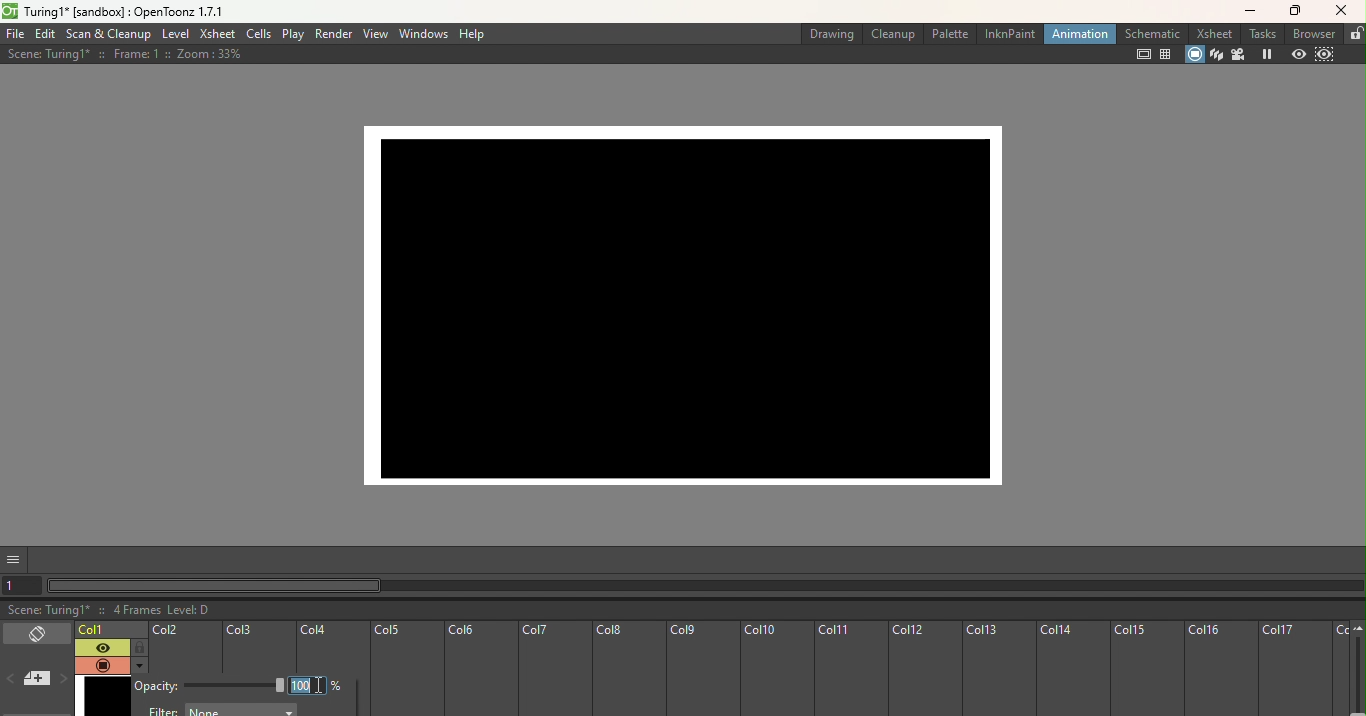  Describe the element at coordinates (1139, 55) in the screenshot. I see `Safe area` at that location.